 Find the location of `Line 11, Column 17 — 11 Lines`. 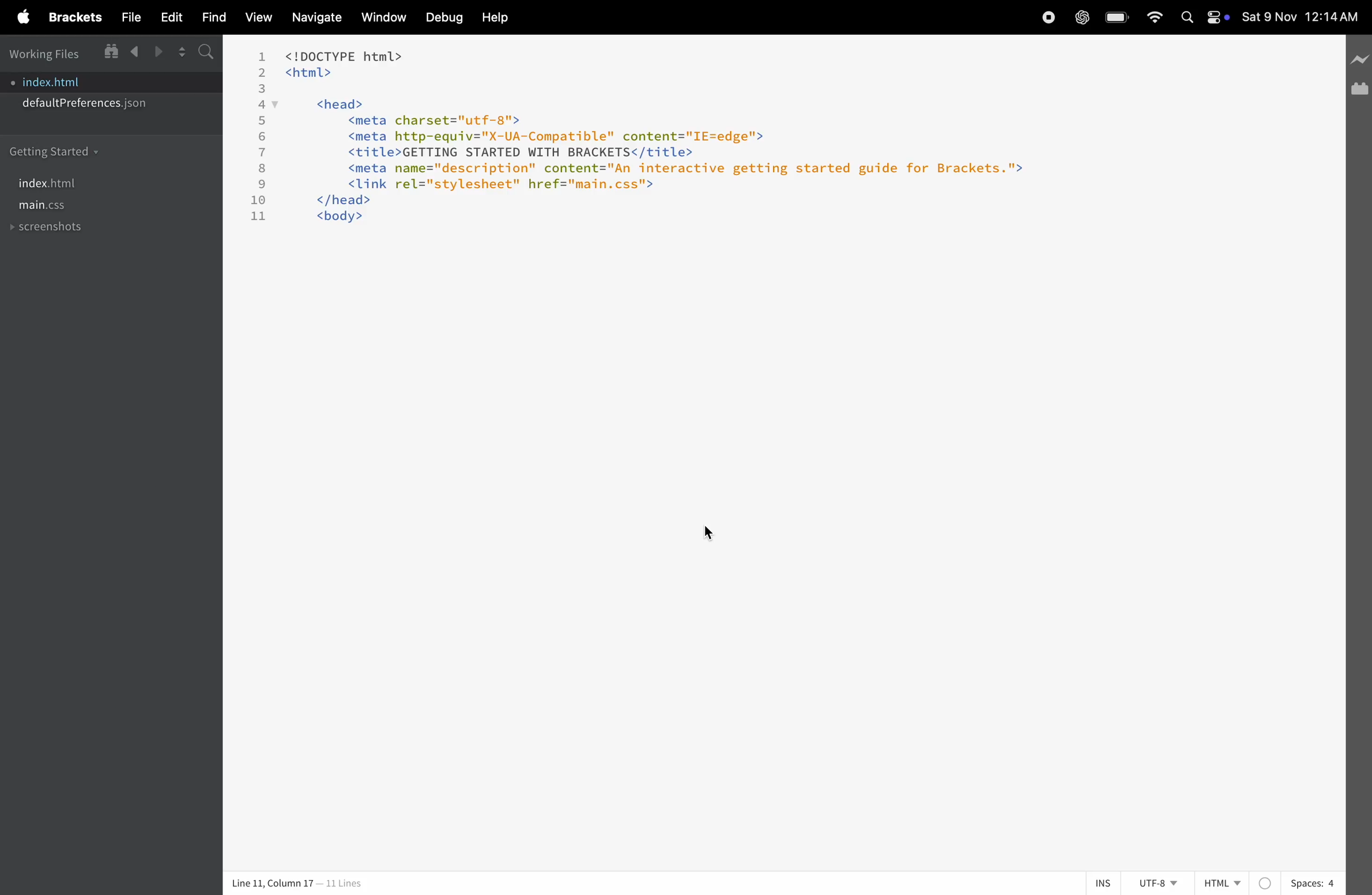

Line 11, Column 17 — 11 Lines is located at coordinates (300, 882).